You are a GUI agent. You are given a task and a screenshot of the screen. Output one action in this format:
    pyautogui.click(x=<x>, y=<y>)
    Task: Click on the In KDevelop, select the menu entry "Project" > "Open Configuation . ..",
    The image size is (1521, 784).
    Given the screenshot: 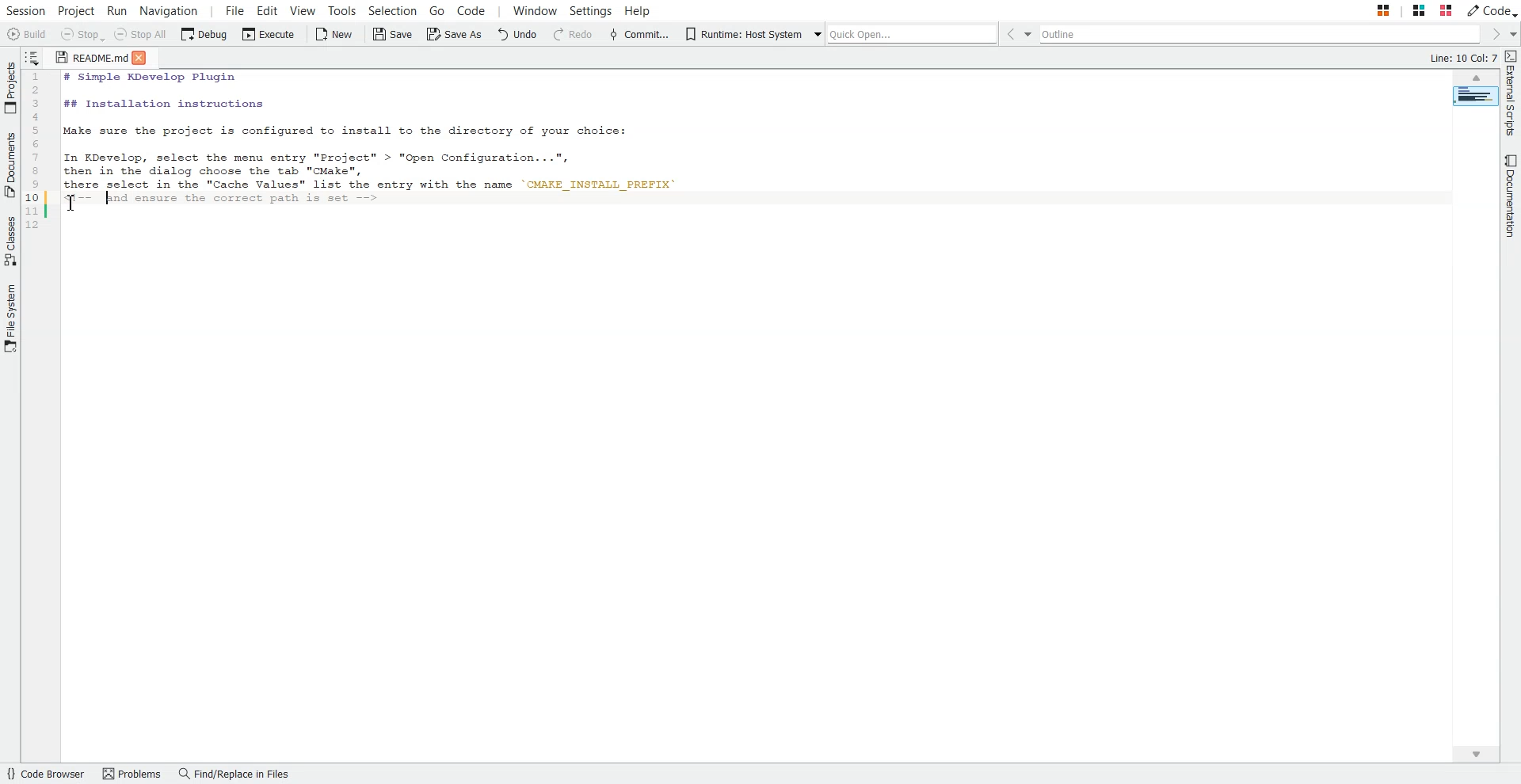 What is the action you would take?
    pyautogui.click(x=318, y=154)
    